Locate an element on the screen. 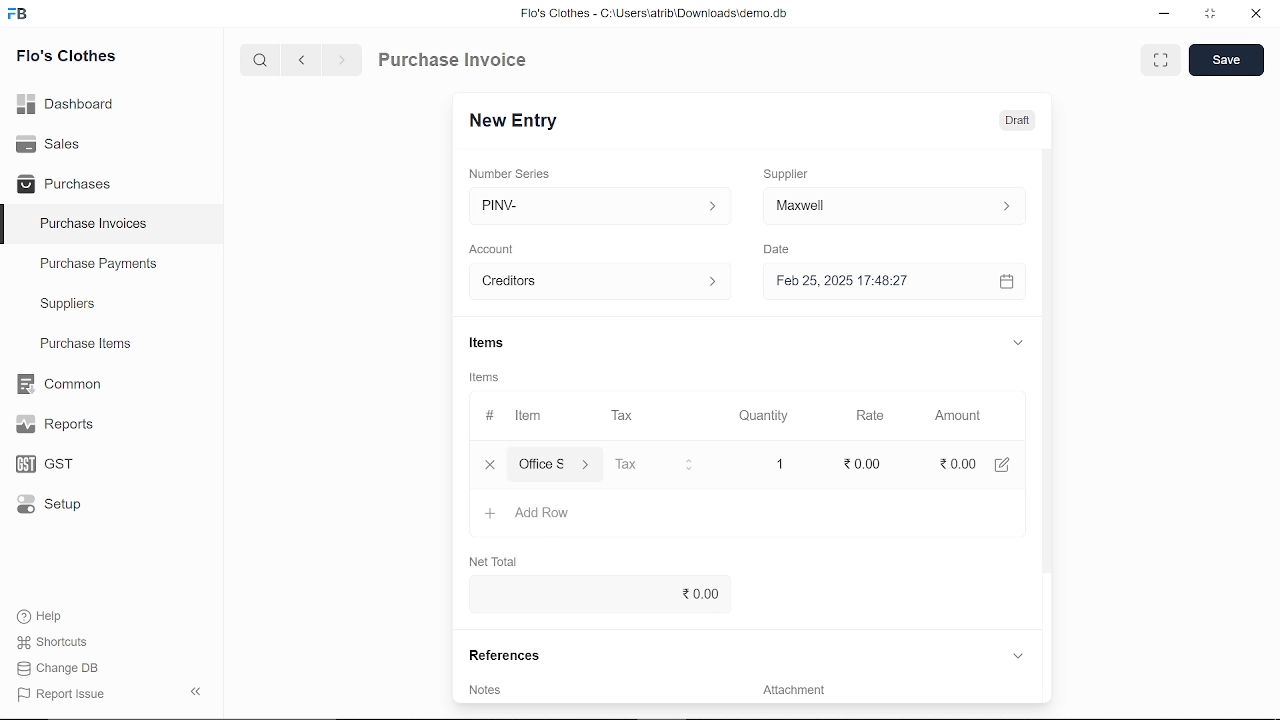  Help is located at coordinates (42, 616).